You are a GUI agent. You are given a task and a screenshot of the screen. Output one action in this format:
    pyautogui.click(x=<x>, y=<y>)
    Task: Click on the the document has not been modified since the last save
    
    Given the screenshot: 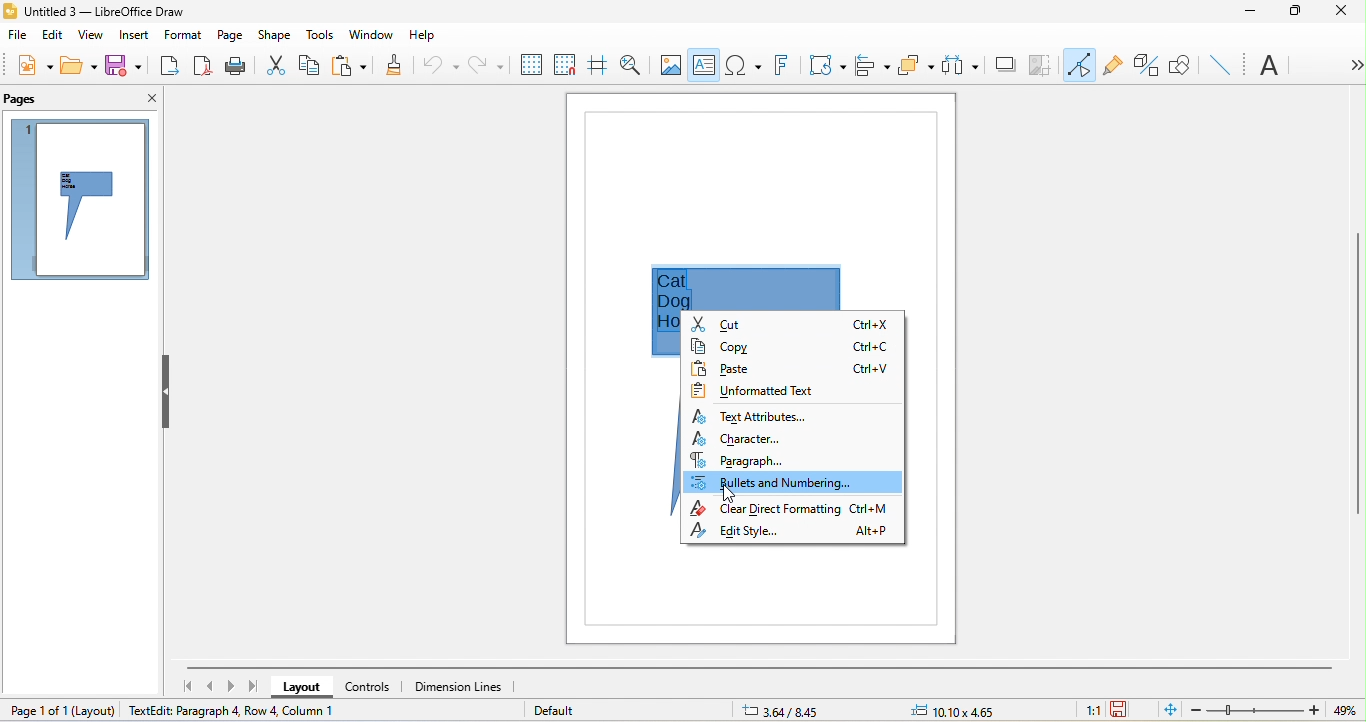 What is the action you would take?
    pyautogui.click(x=1129, y=710)
    